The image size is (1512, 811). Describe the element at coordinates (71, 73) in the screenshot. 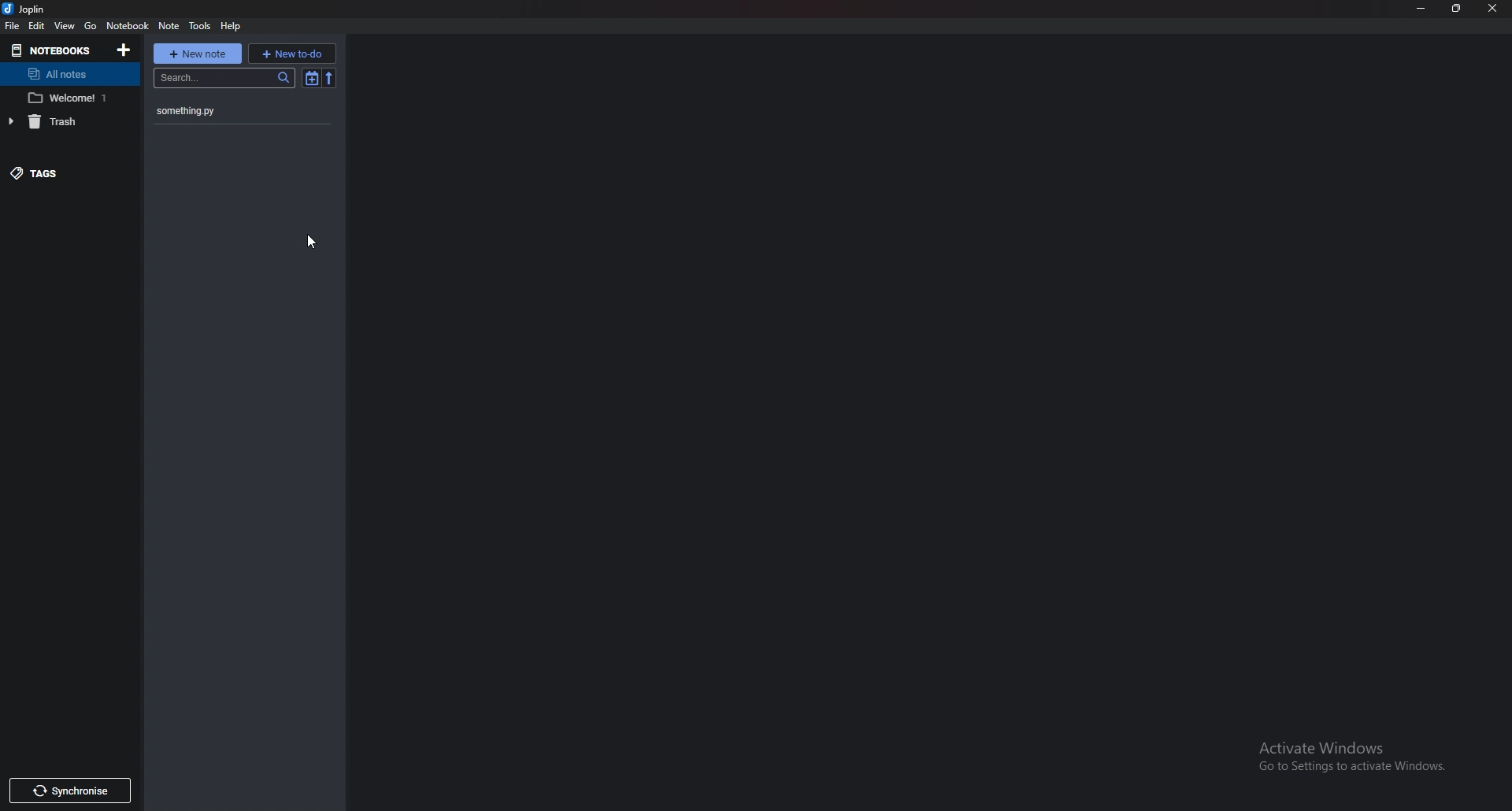

I see `All notes` at that location.